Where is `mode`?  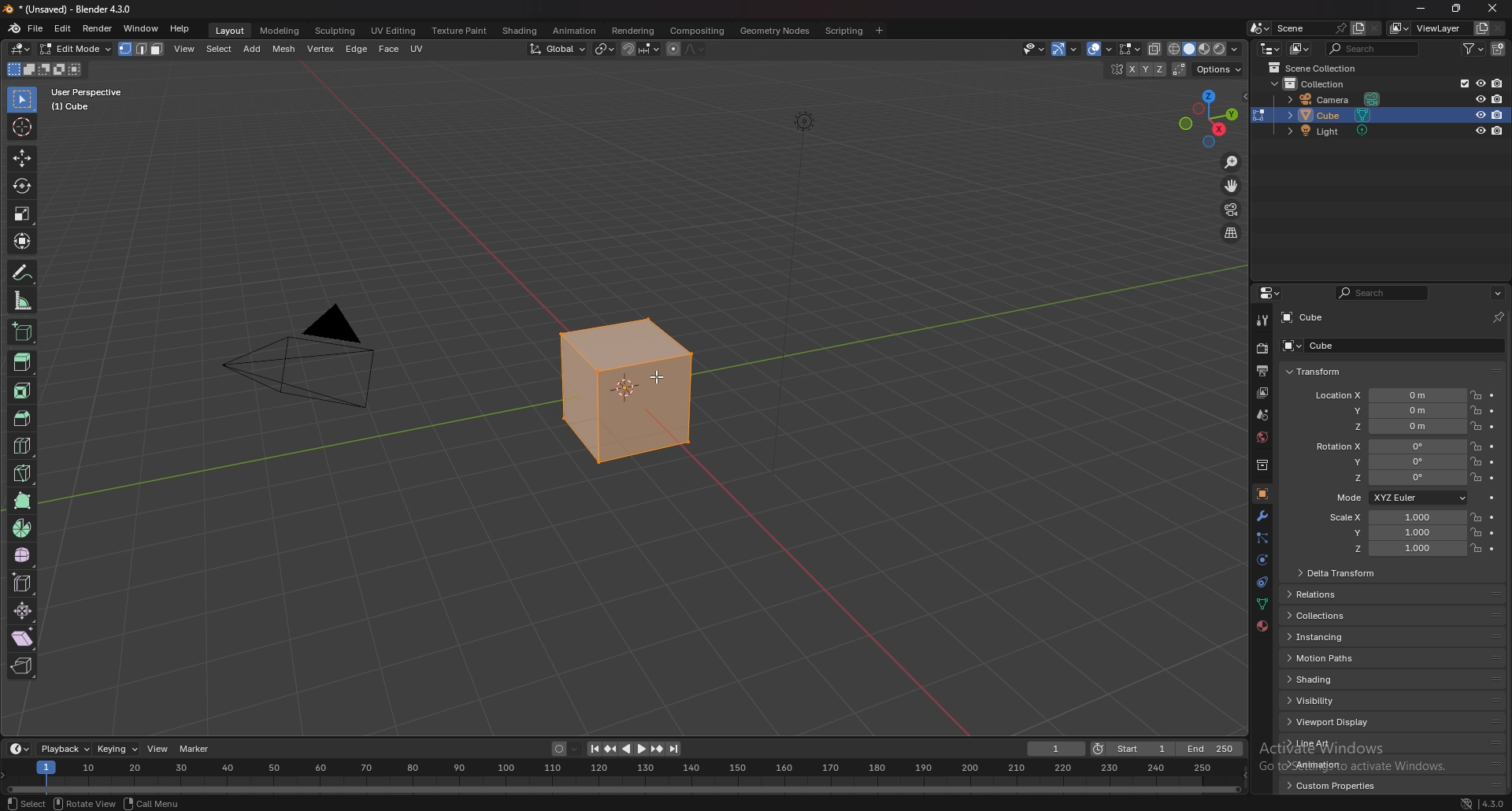
mode is located at coordinates (44, 68).